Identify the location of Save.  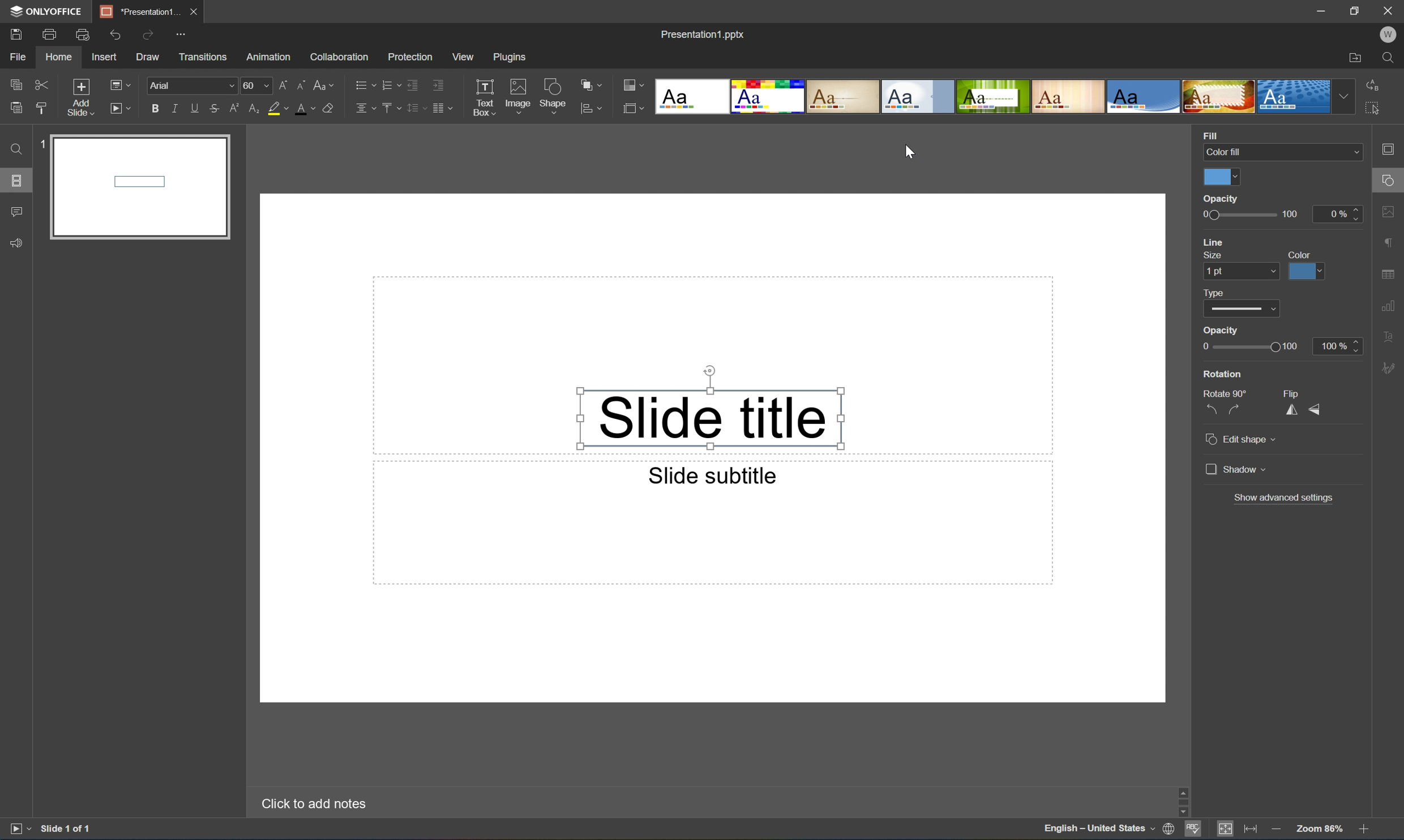
(19, 35).